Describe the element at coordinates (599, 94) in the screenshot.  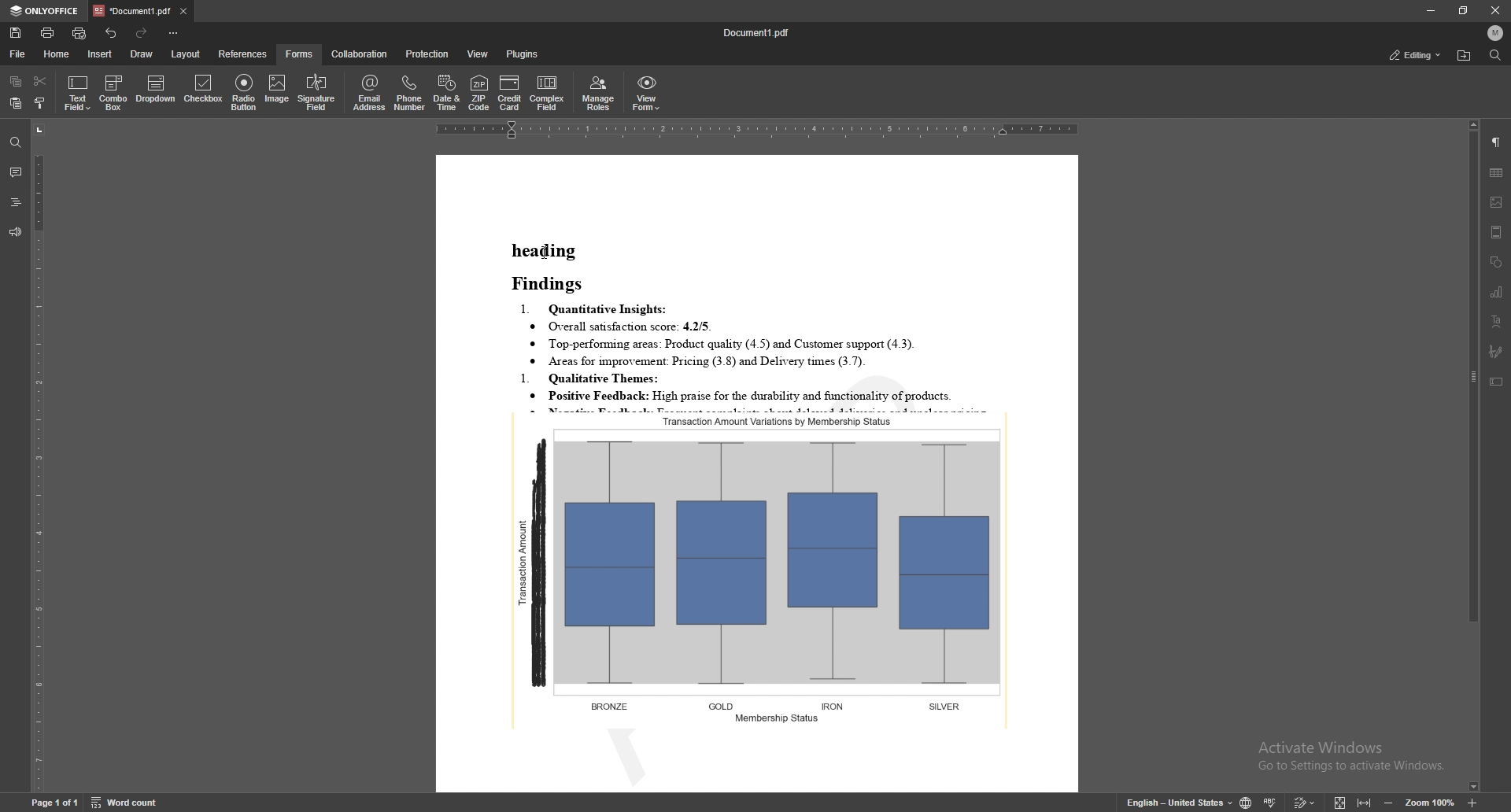
I see `manage roles` at that location.